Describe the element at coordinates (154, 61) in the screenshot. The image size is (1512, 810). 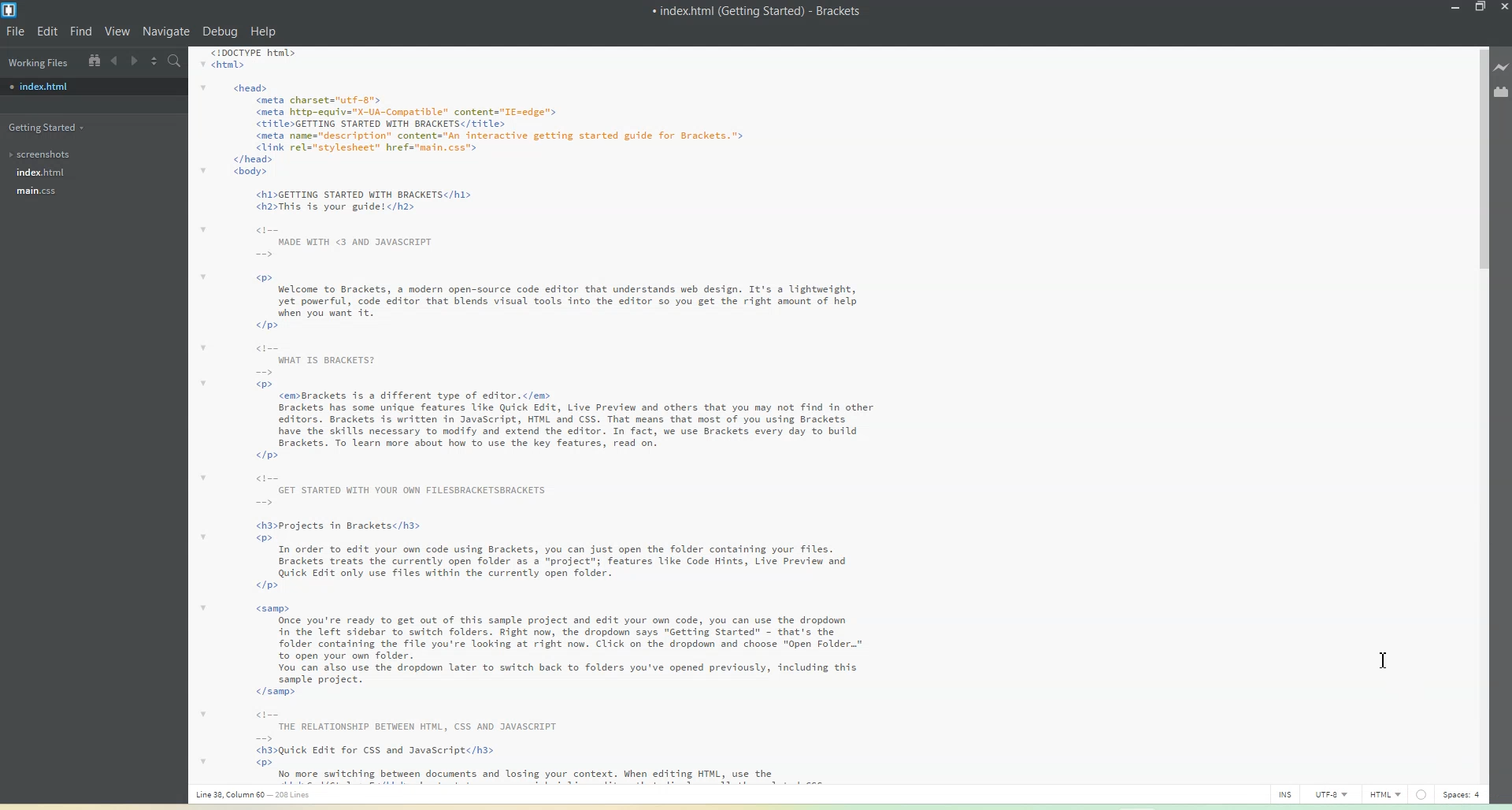
I see `Split the editor vertically or Horizontally` at that location.